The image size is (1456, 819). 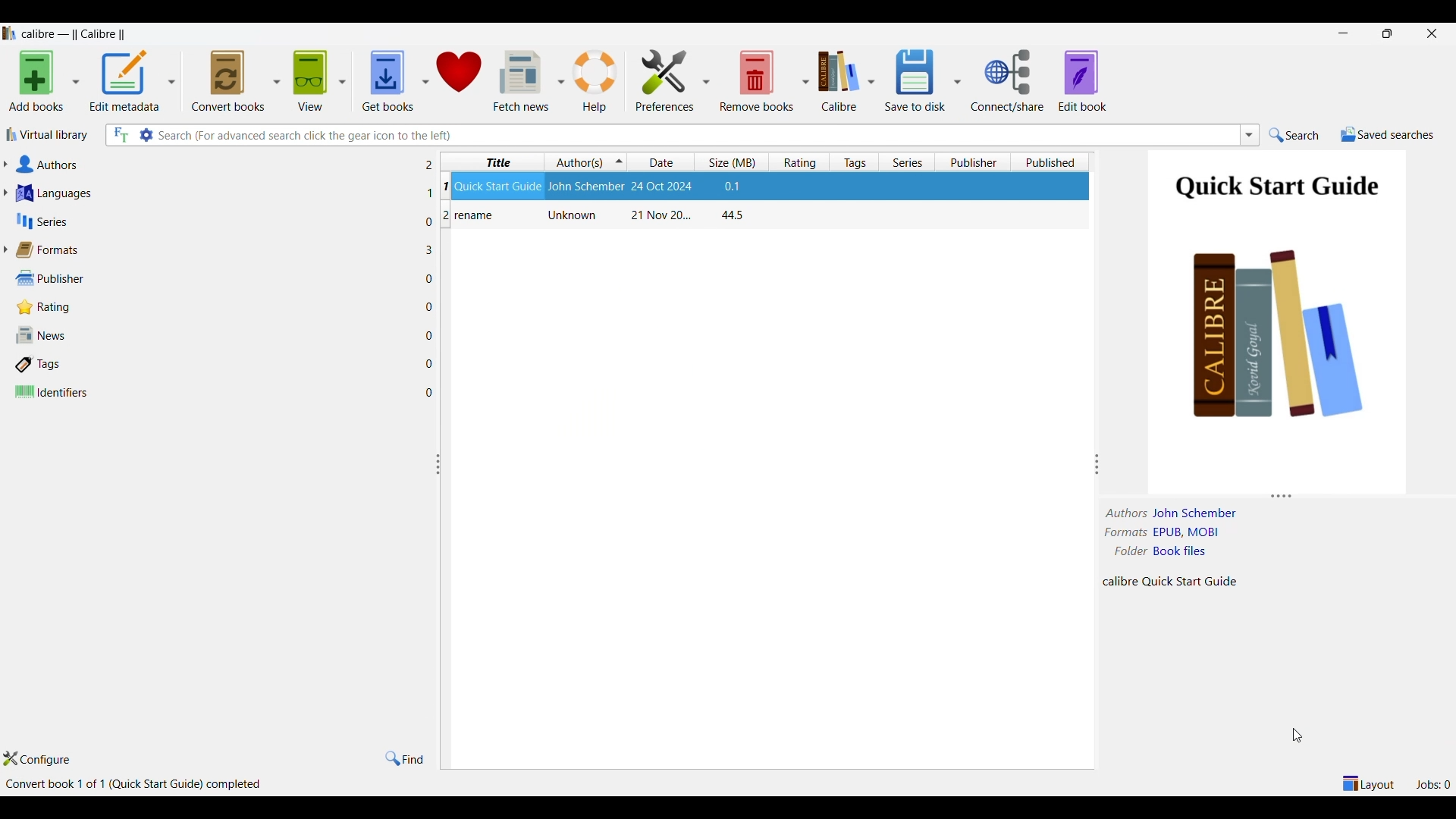 I want to click on cursor, so click(x=1303, y=736).